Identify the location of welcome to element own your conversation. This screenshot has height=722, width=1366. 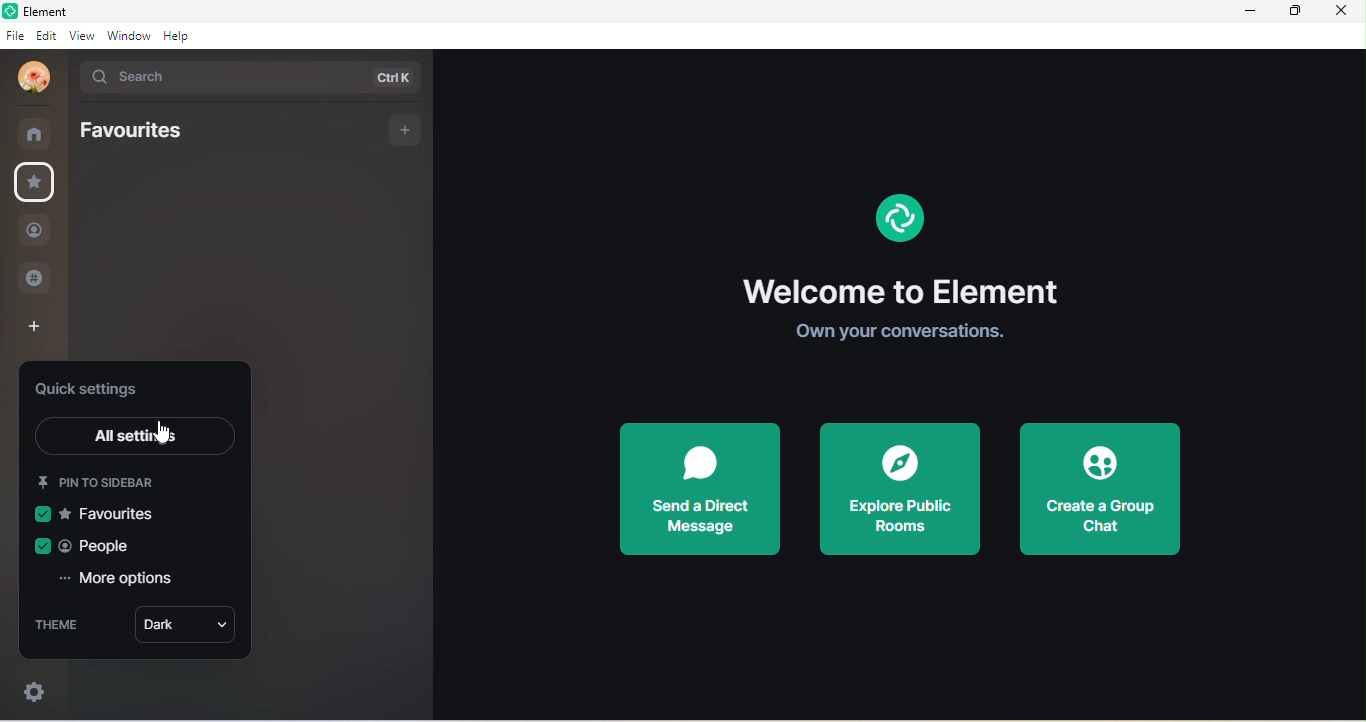
(910, 307).